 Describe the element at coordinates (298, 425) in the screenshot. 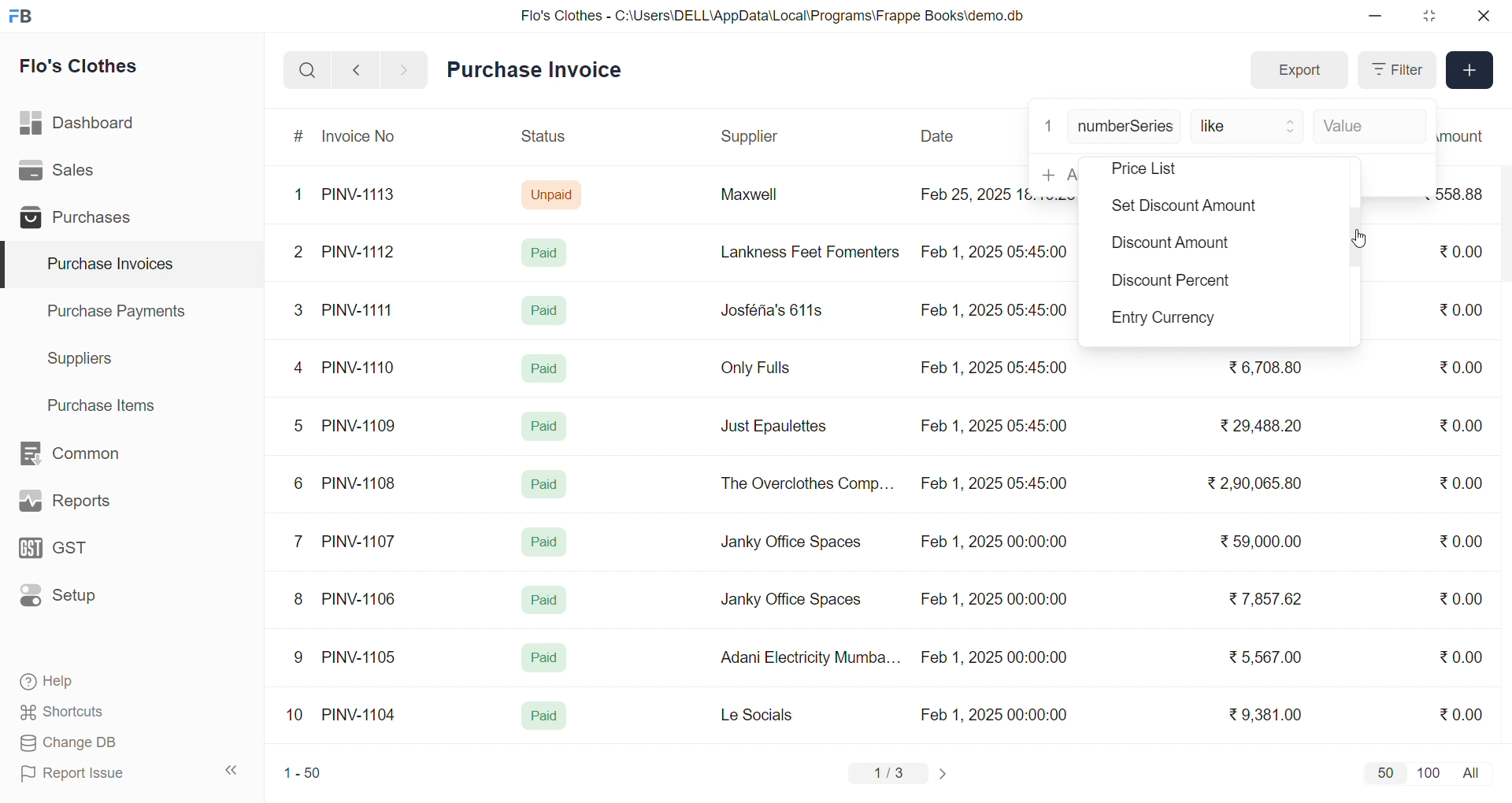

I see `5` at that location.